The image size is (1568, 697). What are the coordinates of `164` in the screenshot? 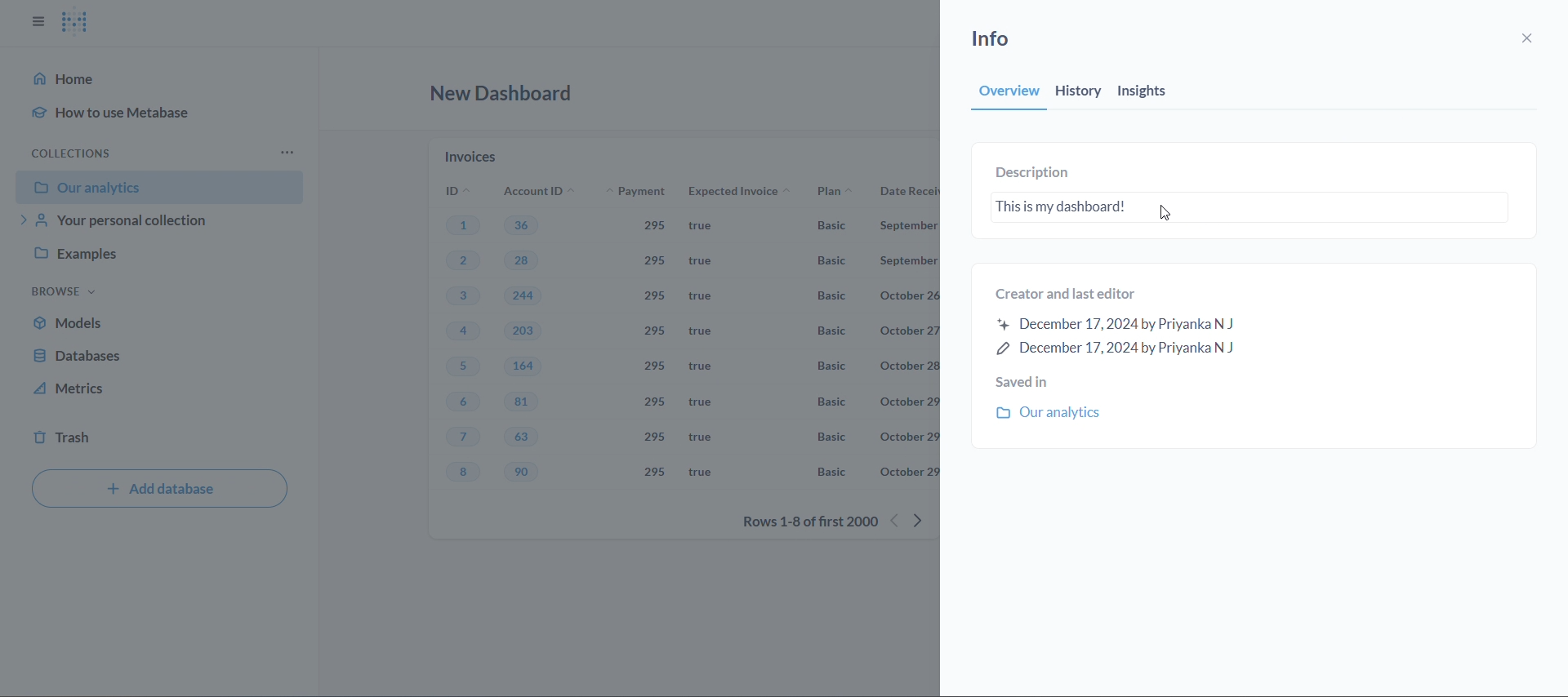 It's located at (523, 366).